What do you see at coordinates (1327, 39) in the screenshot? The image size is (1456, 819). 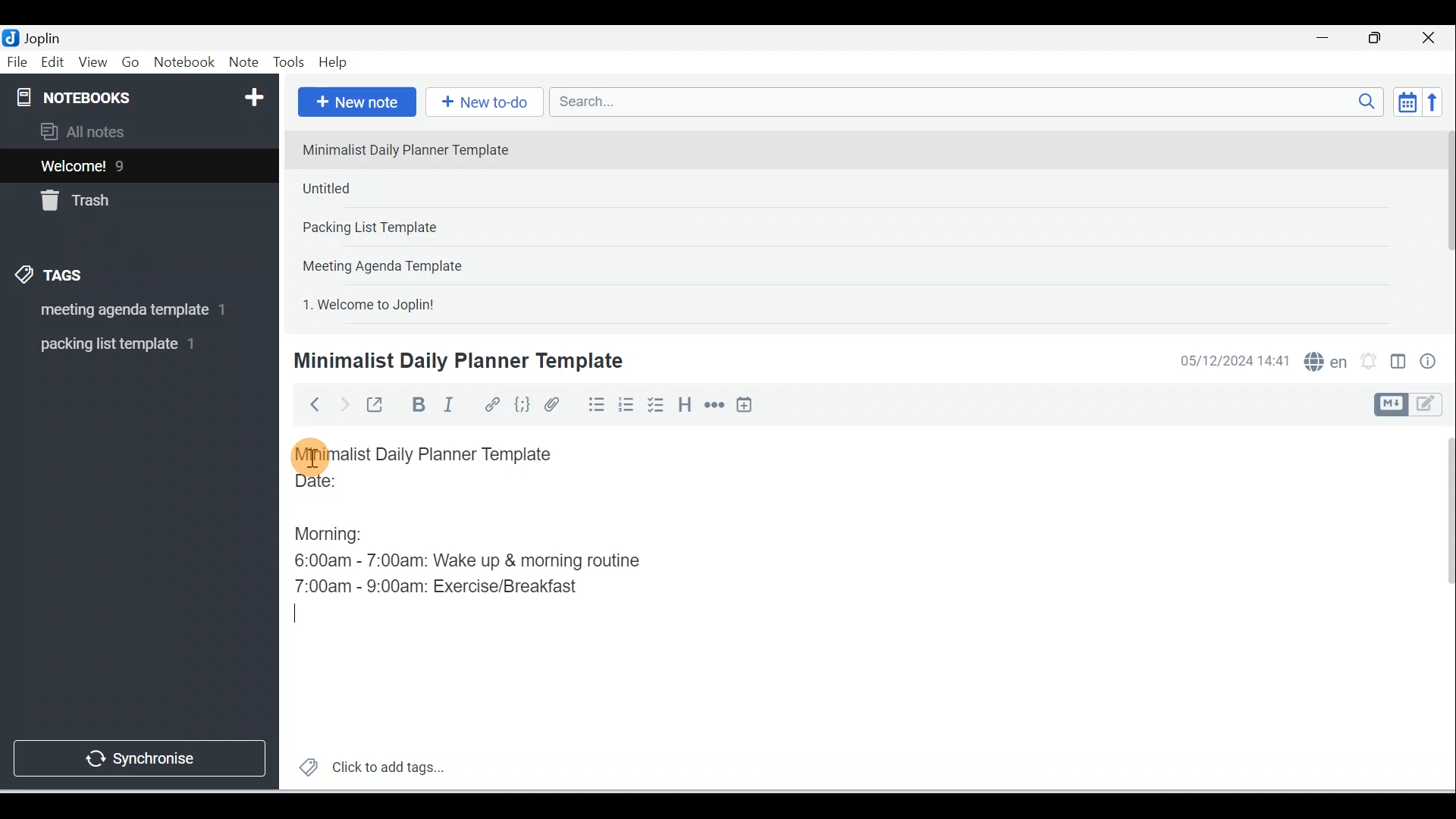 I see `Minimise` at bounding box center [1327, 39].